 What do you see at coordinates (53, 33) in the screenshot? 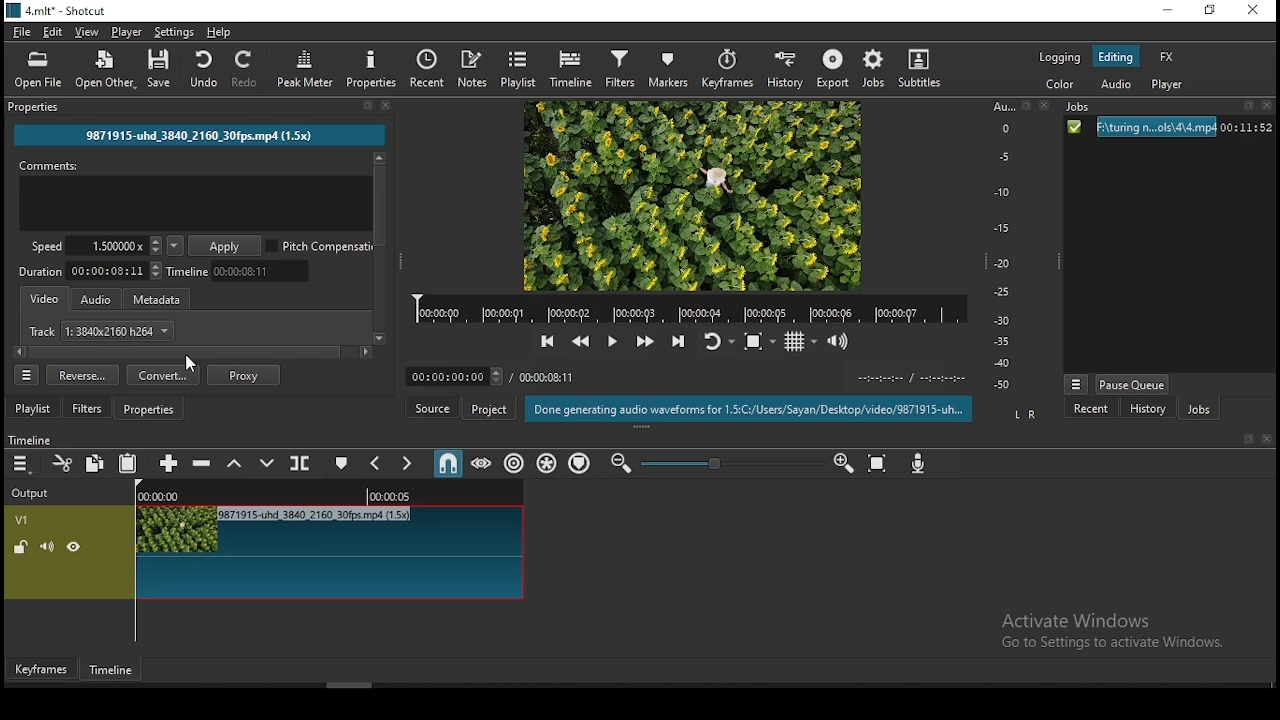
I see `edit` at bounding box center [53, 33].